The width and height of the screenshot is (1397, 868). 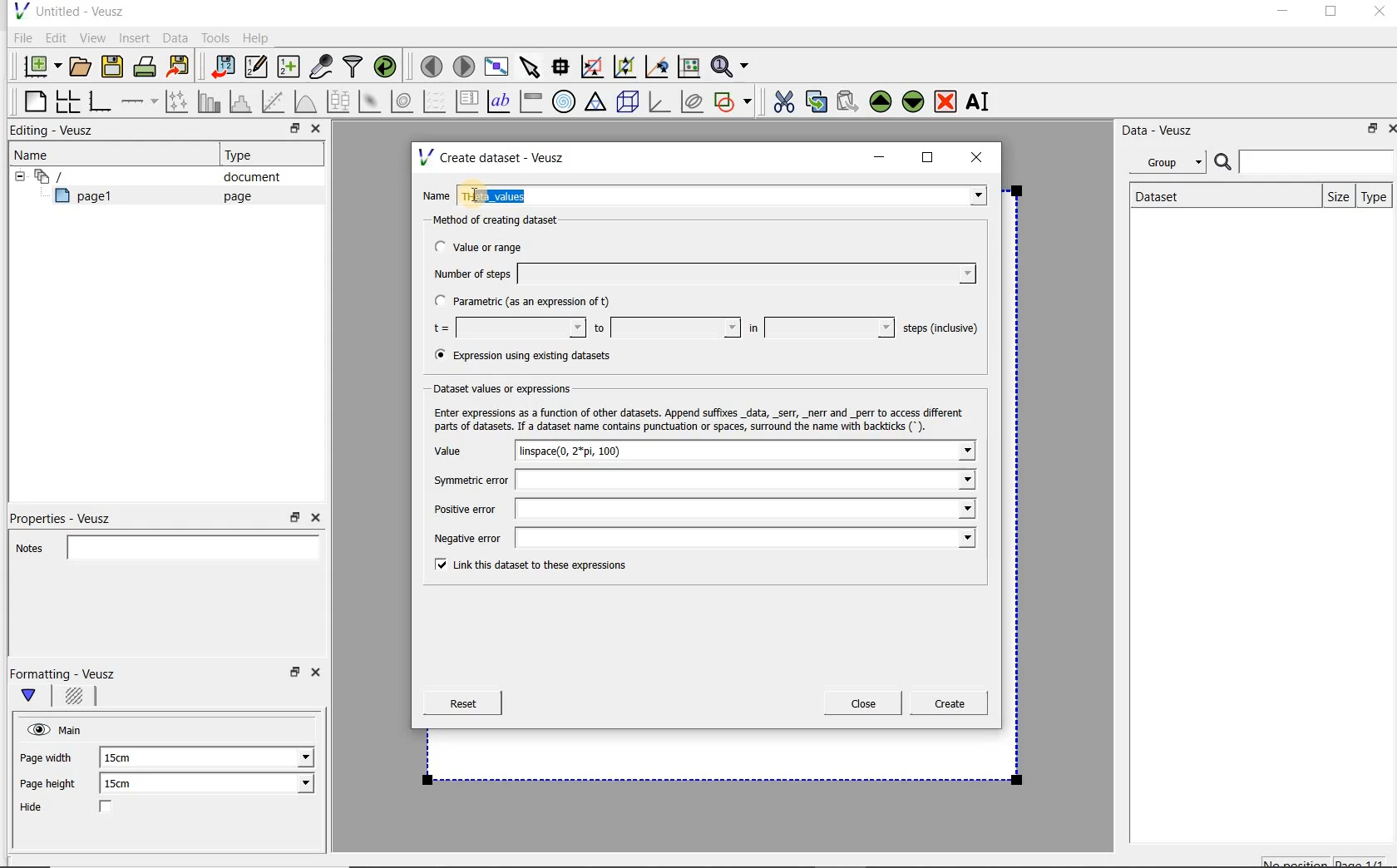 What do you see at coordinates (981, 101) in the screenshot?
I see `rename the selected widget` at bounding box center [981, 101].